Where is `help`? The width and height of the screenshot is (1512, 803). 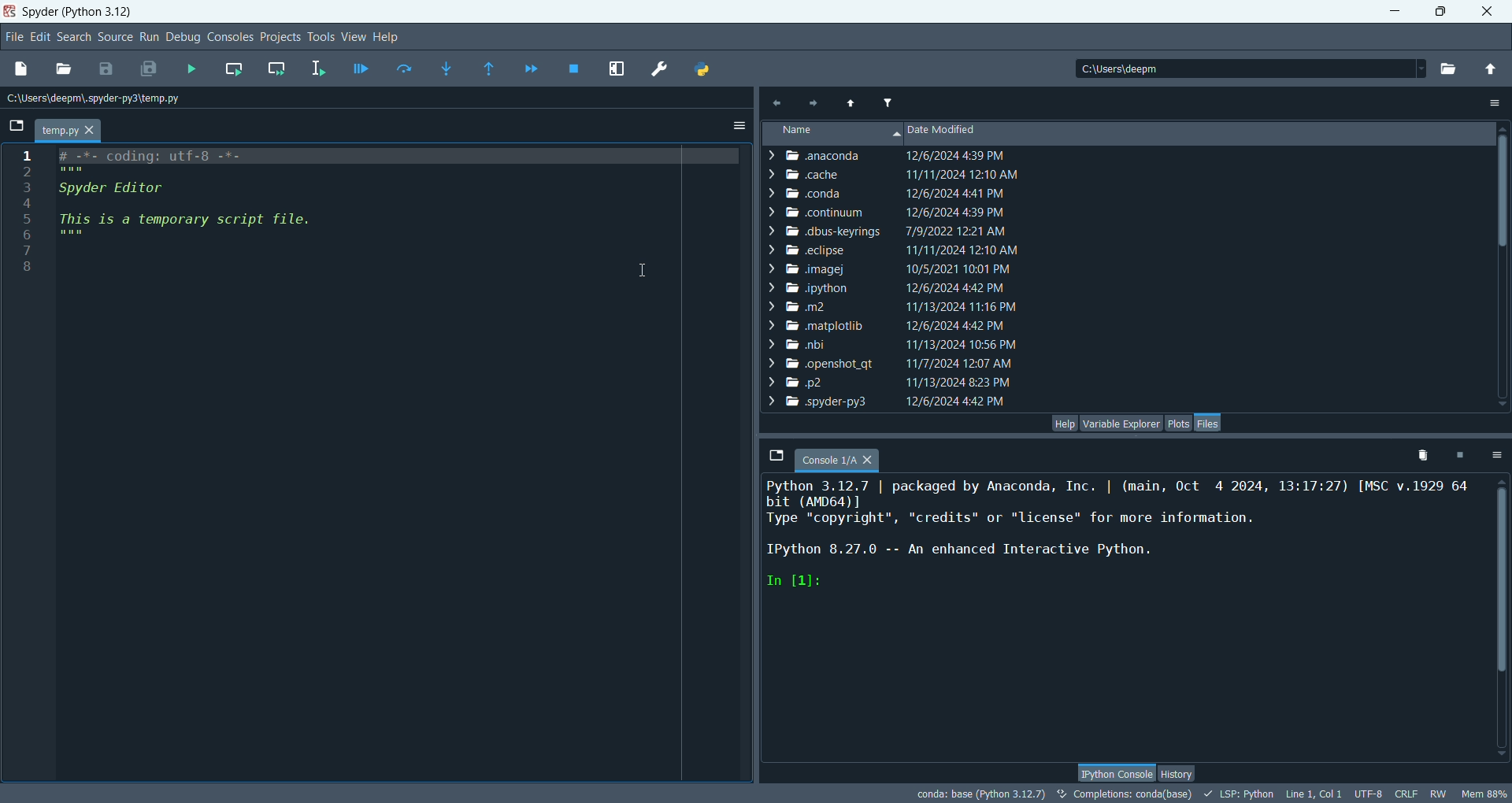 help is located at coordinates (387, 39).